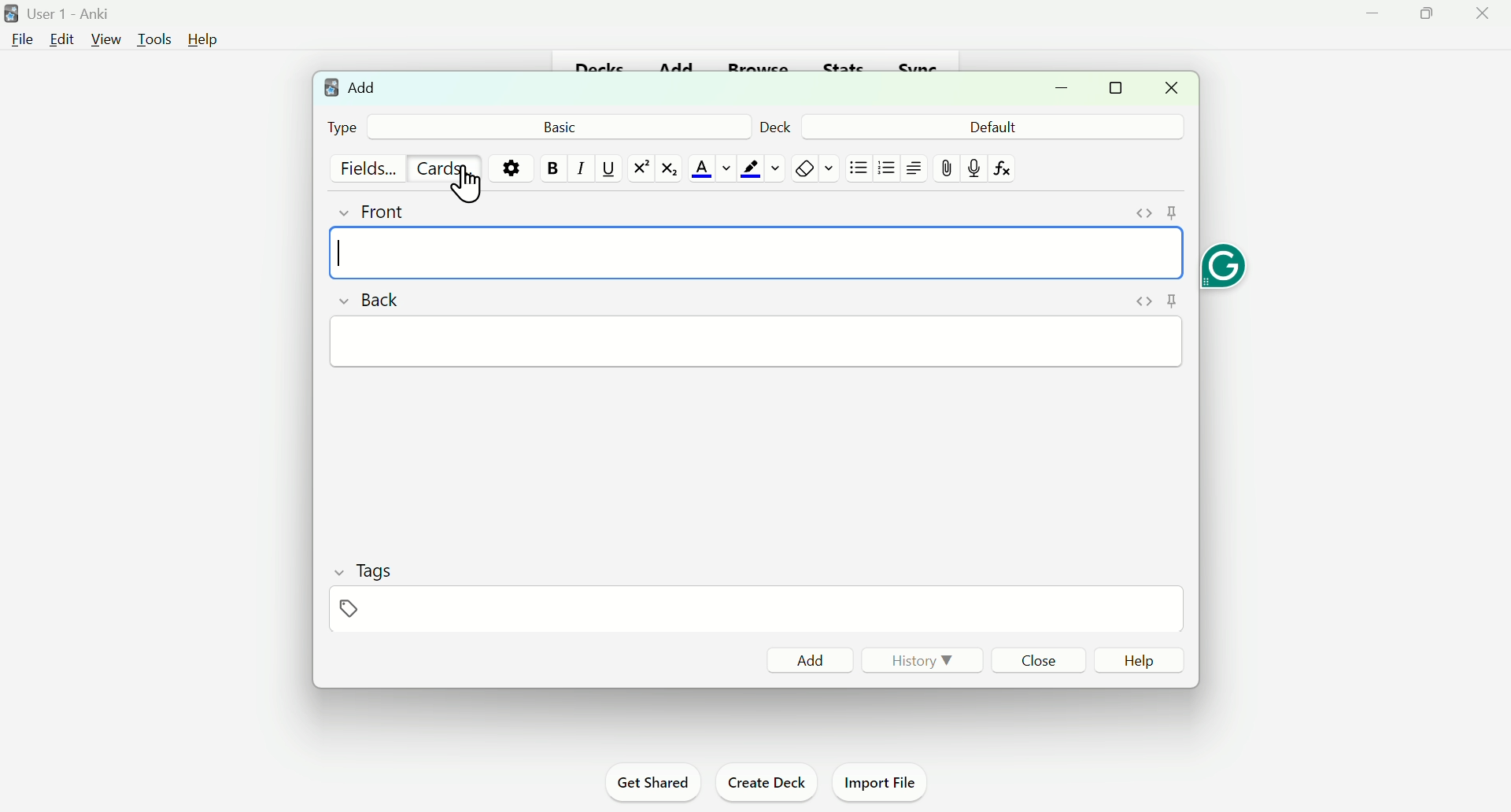 The height and width of the screenshot is (812, 1511). I want to click on logo, so click(11, 12).